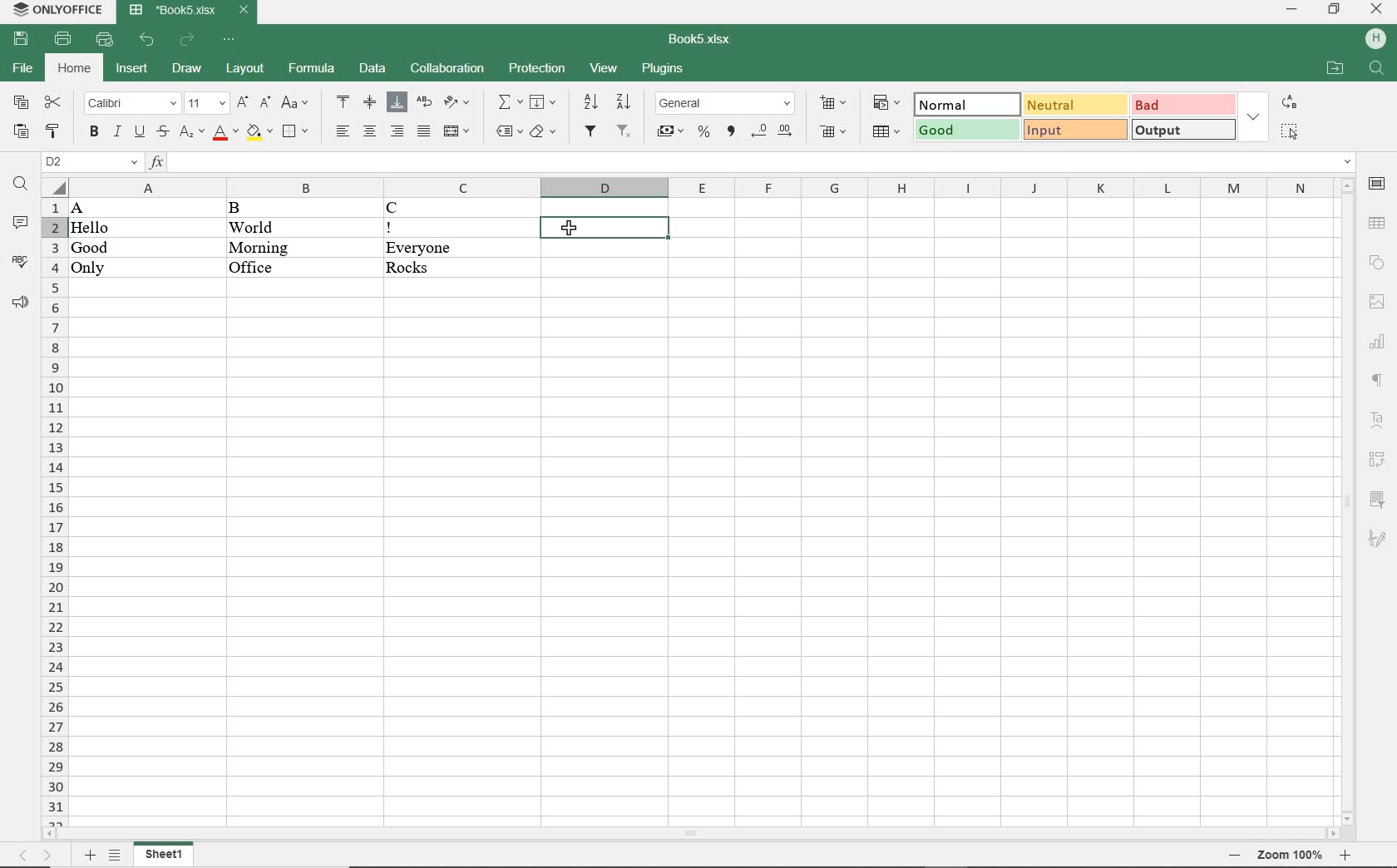 The image size is (1397, 868). I want to click on CHART, so click(1379, 341).